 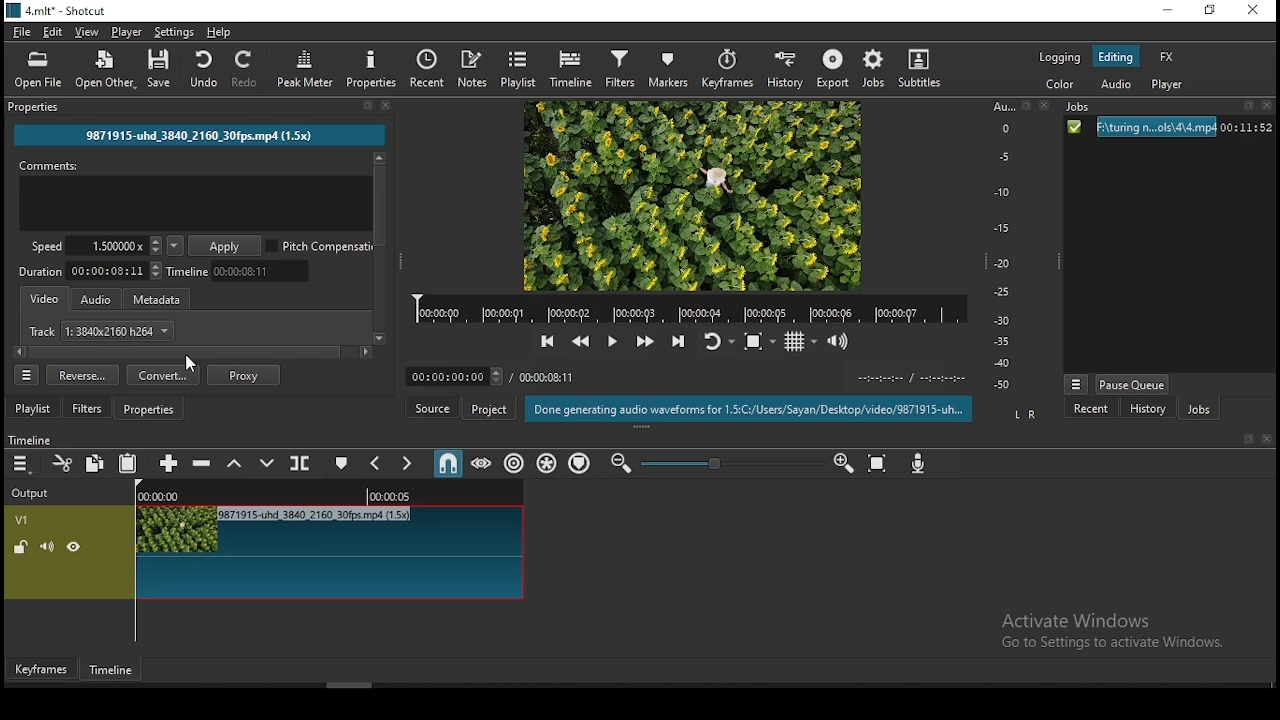 I want to click on jobs, so click(x=1198, y=411).